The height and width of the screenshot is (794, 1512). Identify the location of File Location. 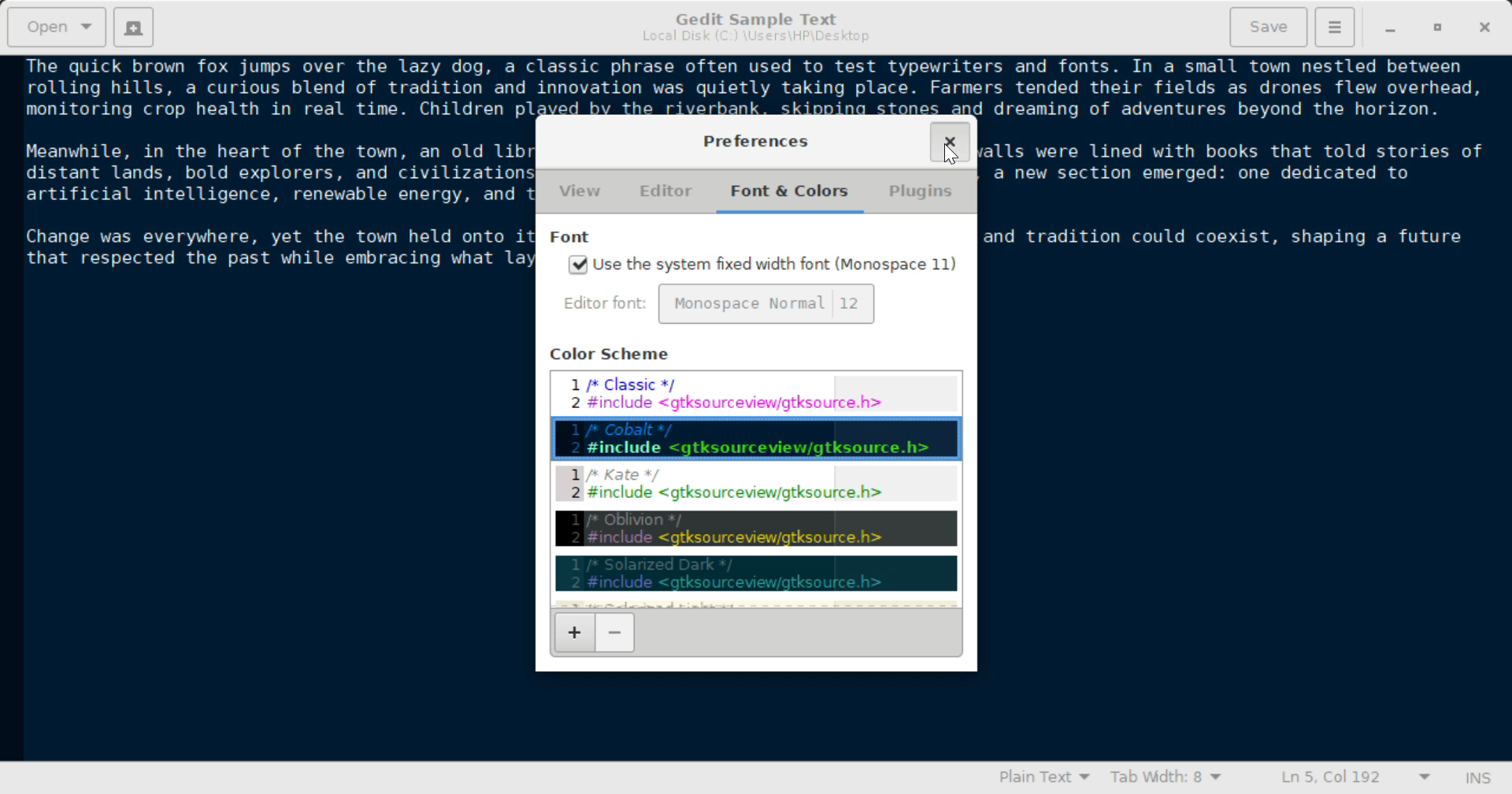
(754, 39).